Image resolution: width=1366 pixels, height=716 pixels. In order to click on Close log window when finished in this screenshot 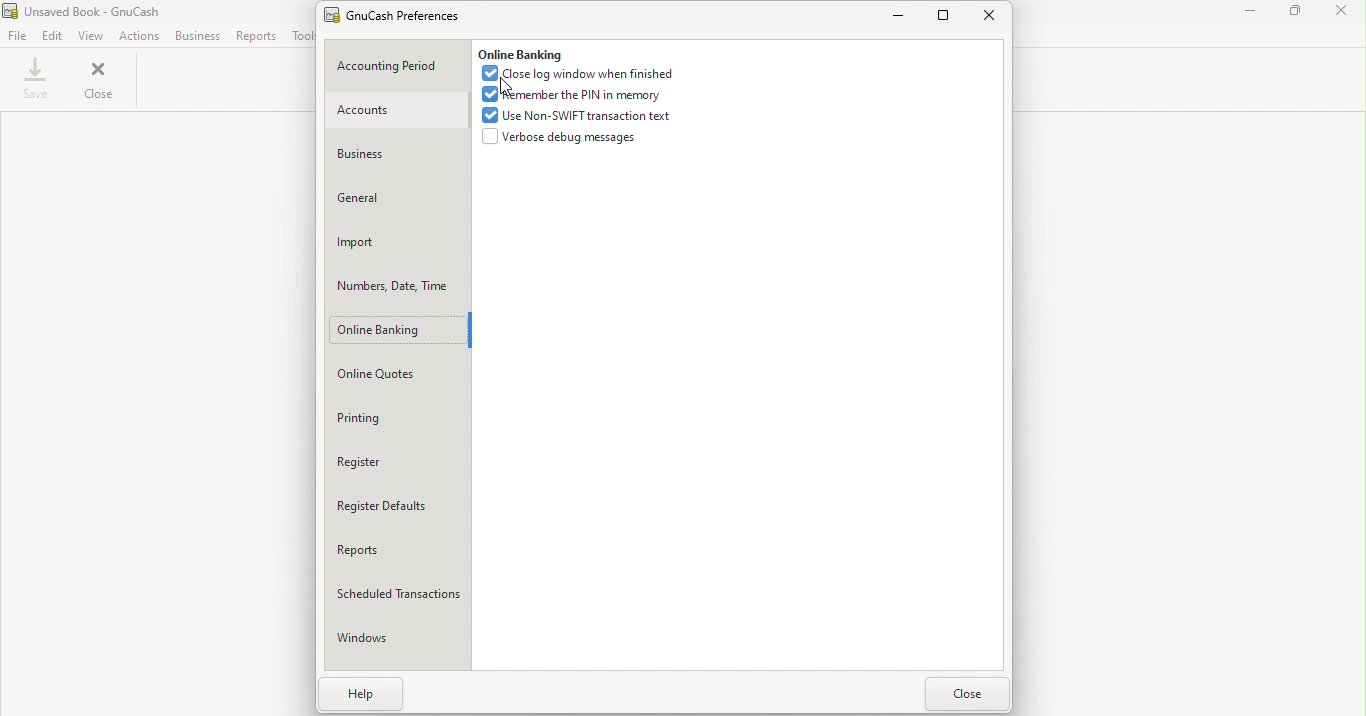, I will do `click(583, 74)`.